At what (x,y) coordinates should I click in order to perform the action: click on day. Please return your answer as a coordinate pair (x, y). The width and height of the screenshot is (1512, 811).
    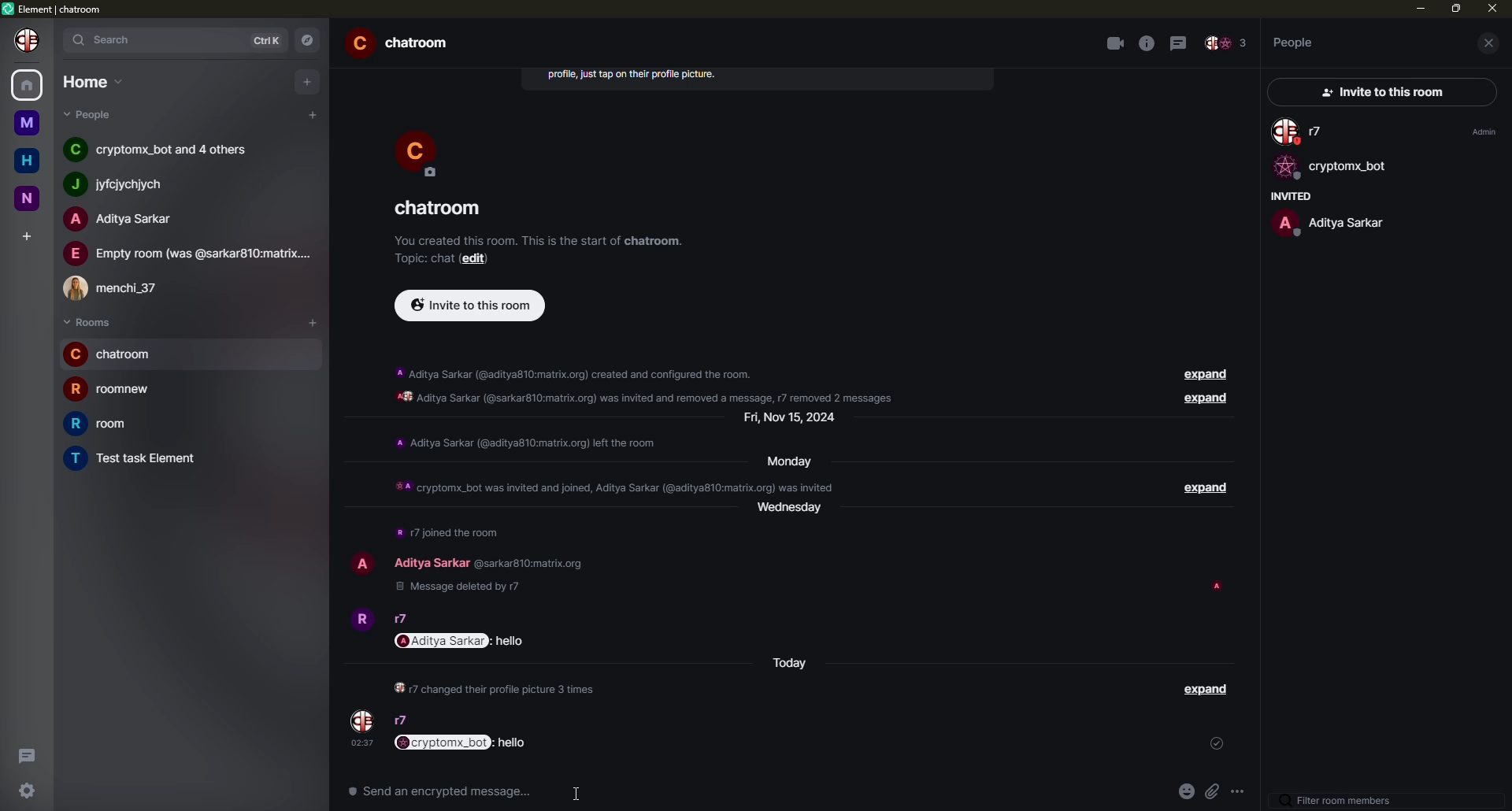
    Looking at the image, I should click on (784, 462).